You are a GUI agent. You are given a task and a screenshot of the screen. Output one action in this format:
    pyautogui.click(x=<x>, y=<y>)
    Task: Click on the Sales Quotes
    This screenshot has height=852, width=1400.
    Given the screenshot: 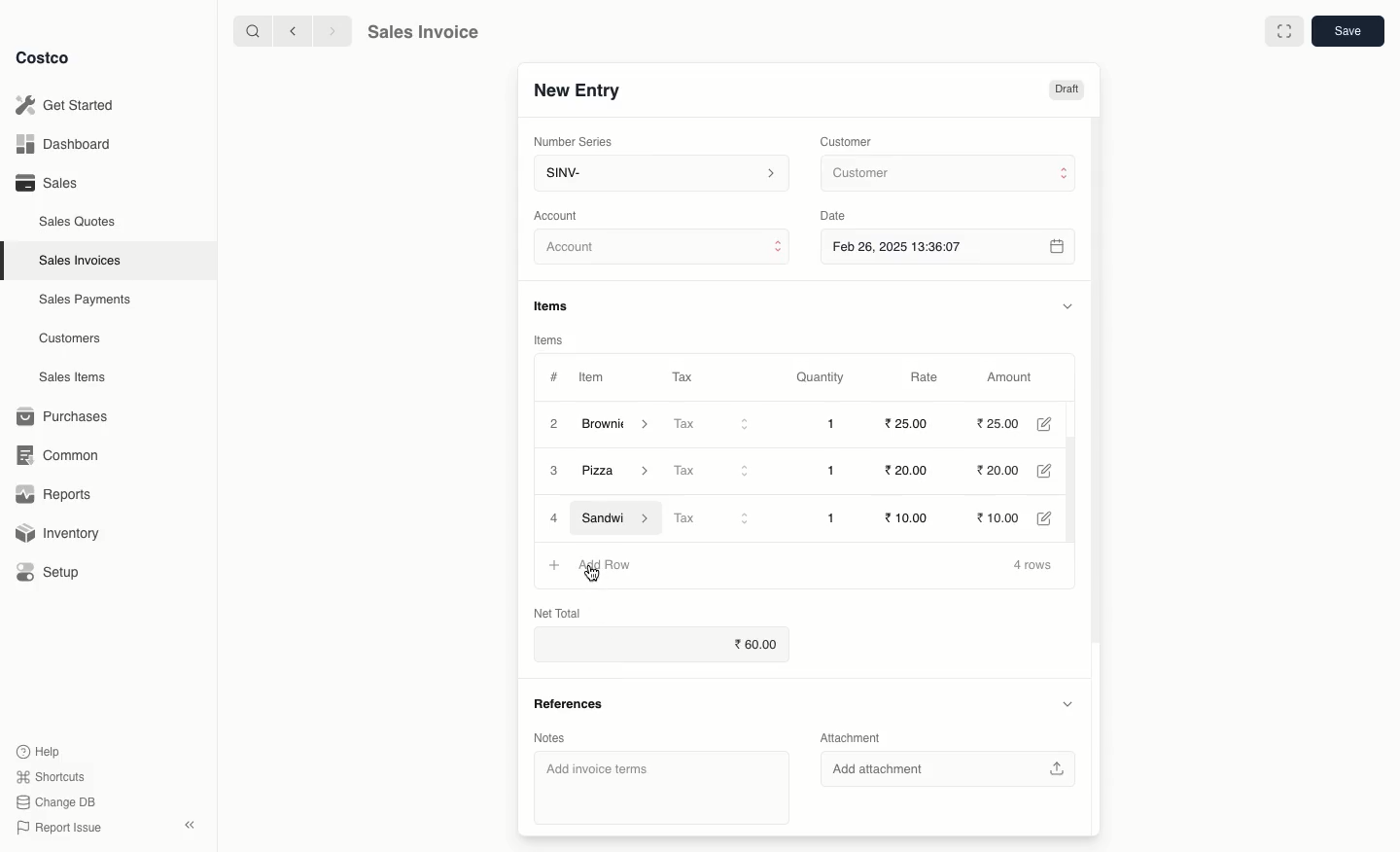 What is the action you would take?
    pyautogui.click(x=80, y=221)
    